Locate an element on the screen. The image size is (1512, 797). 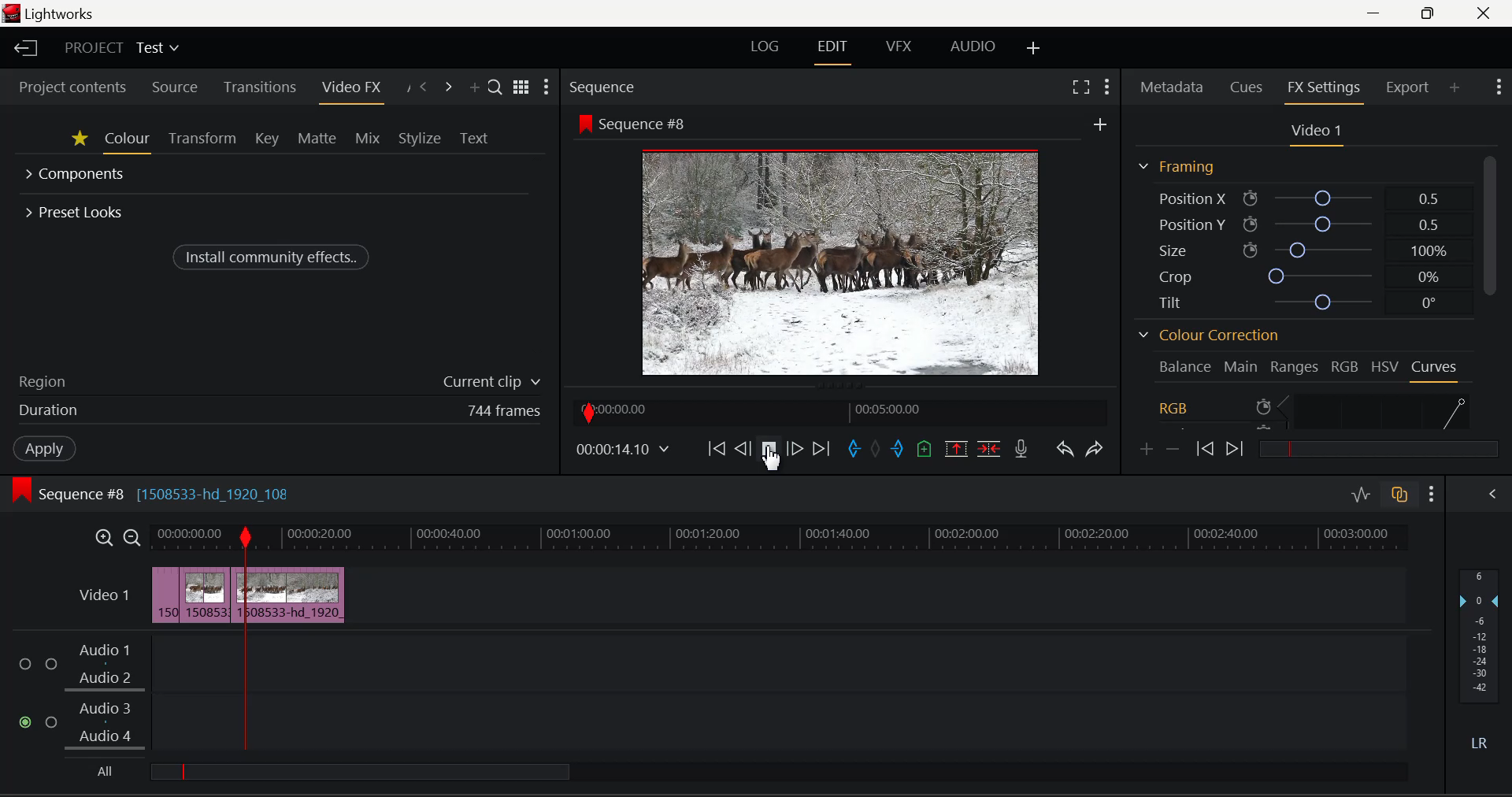
Preset Looks is located at coordinates (76, 210).